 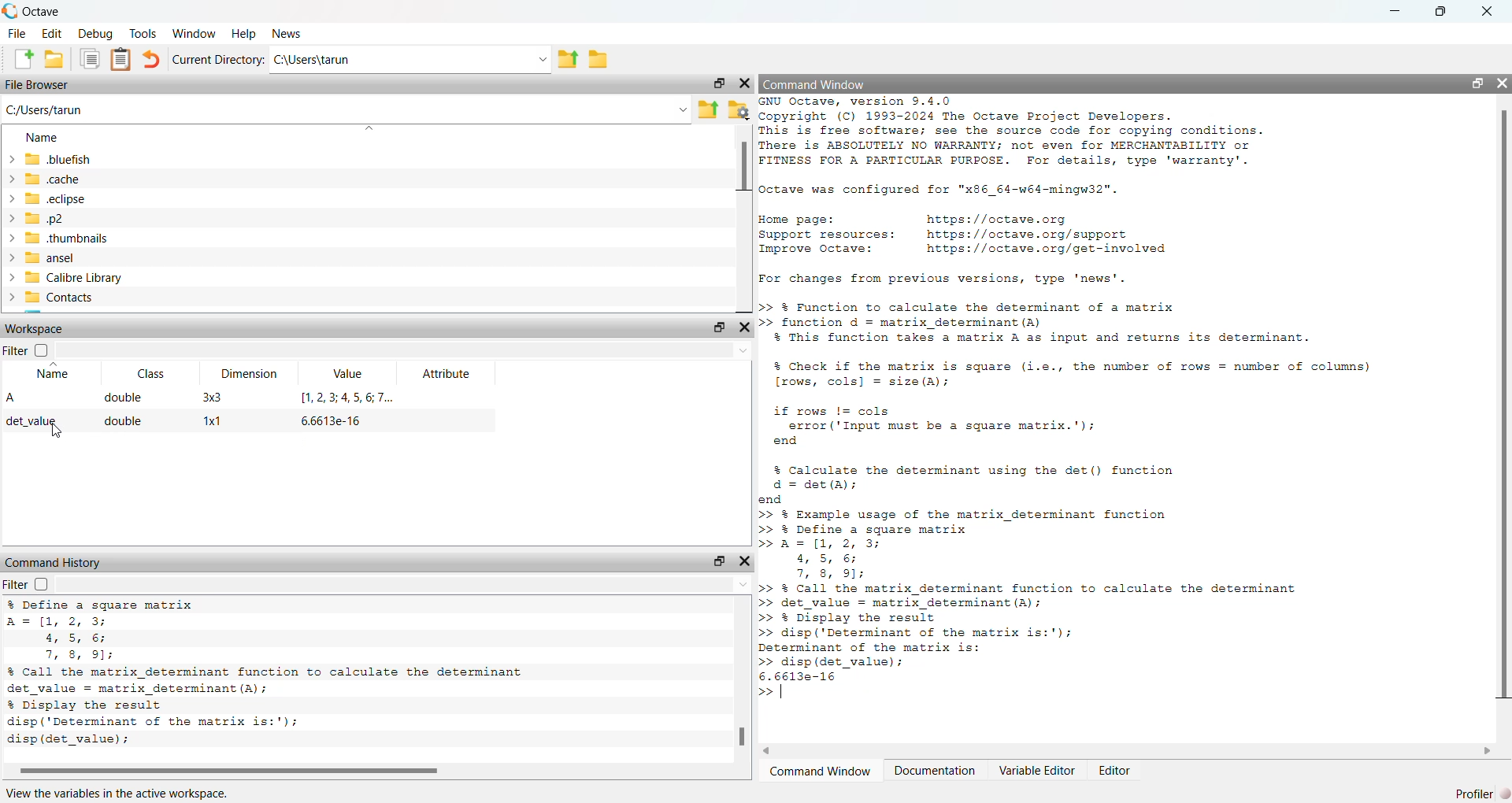 I want to click on help, so click(x=244, y=32).